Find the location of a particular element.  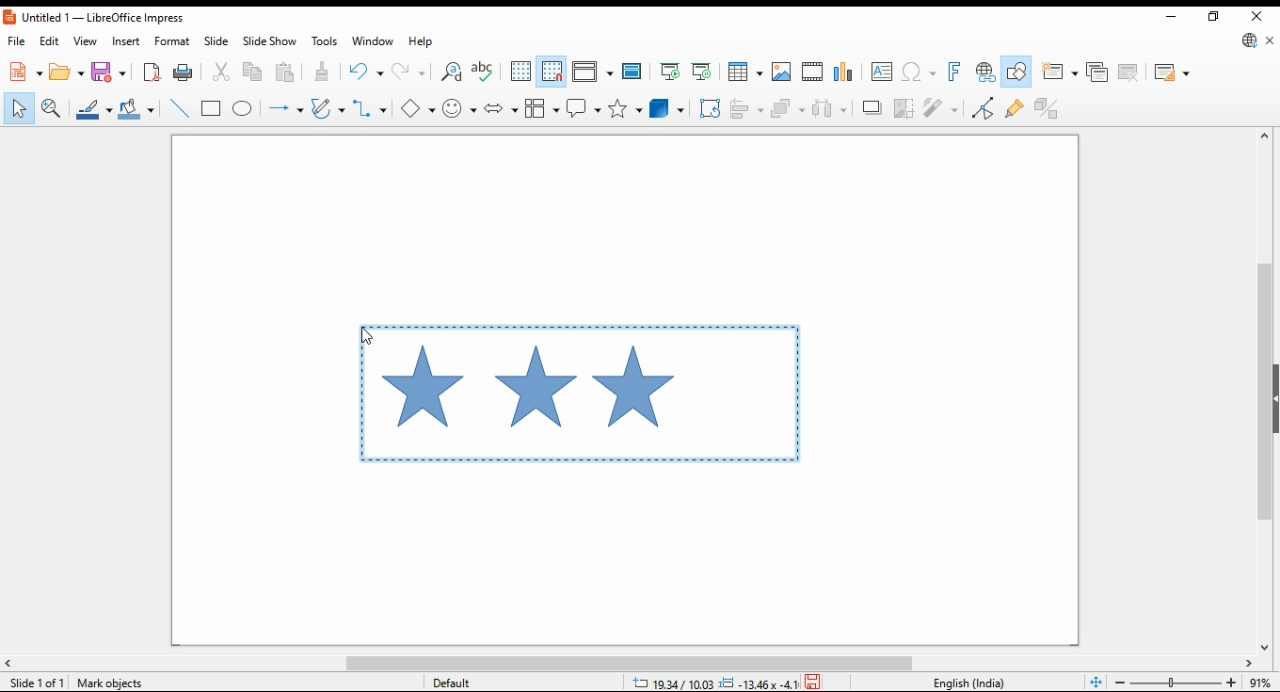

close window is located at coordinates (1259, 14).